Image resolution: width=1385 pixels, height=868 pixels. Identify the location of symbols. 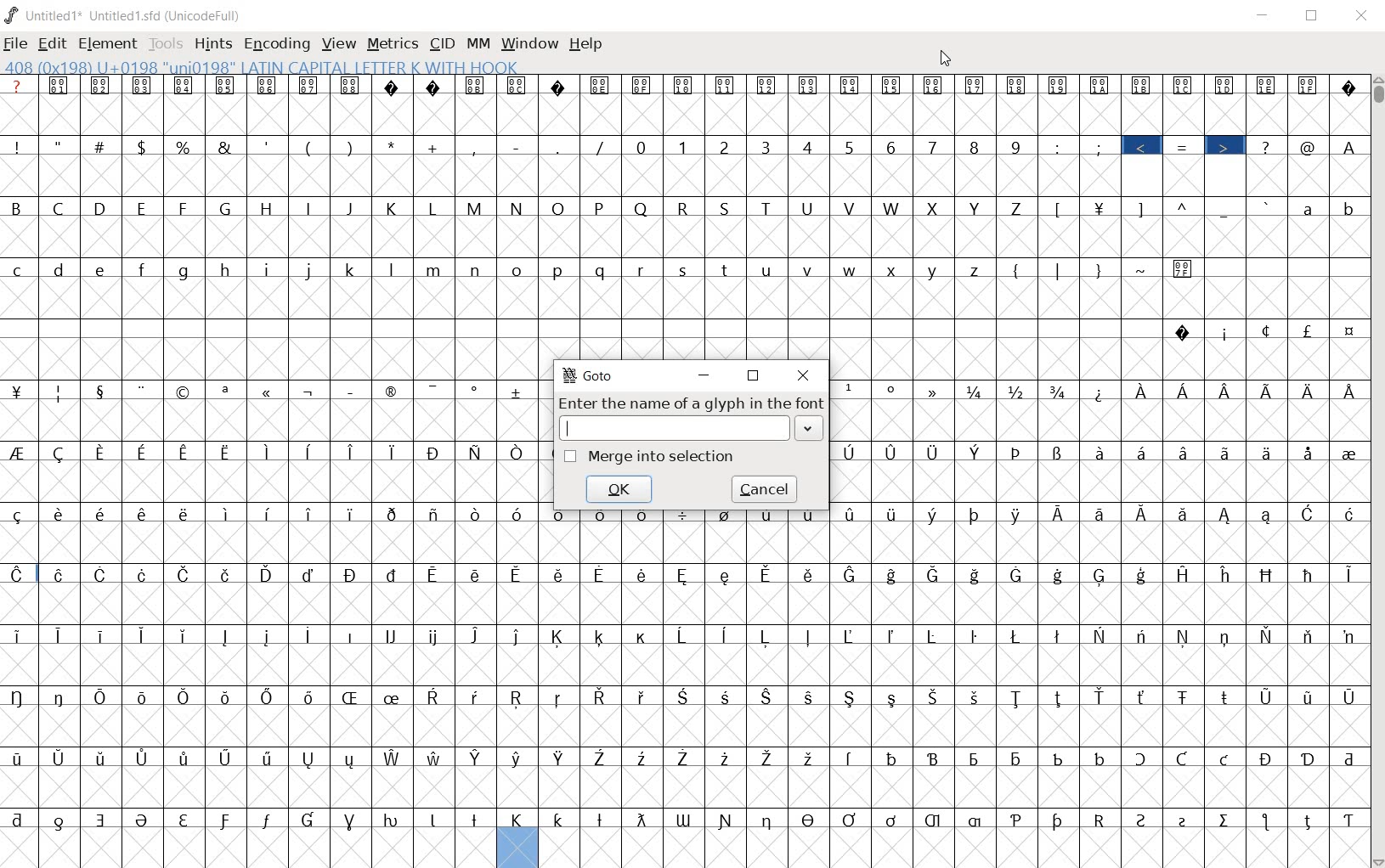
(1292, 144).